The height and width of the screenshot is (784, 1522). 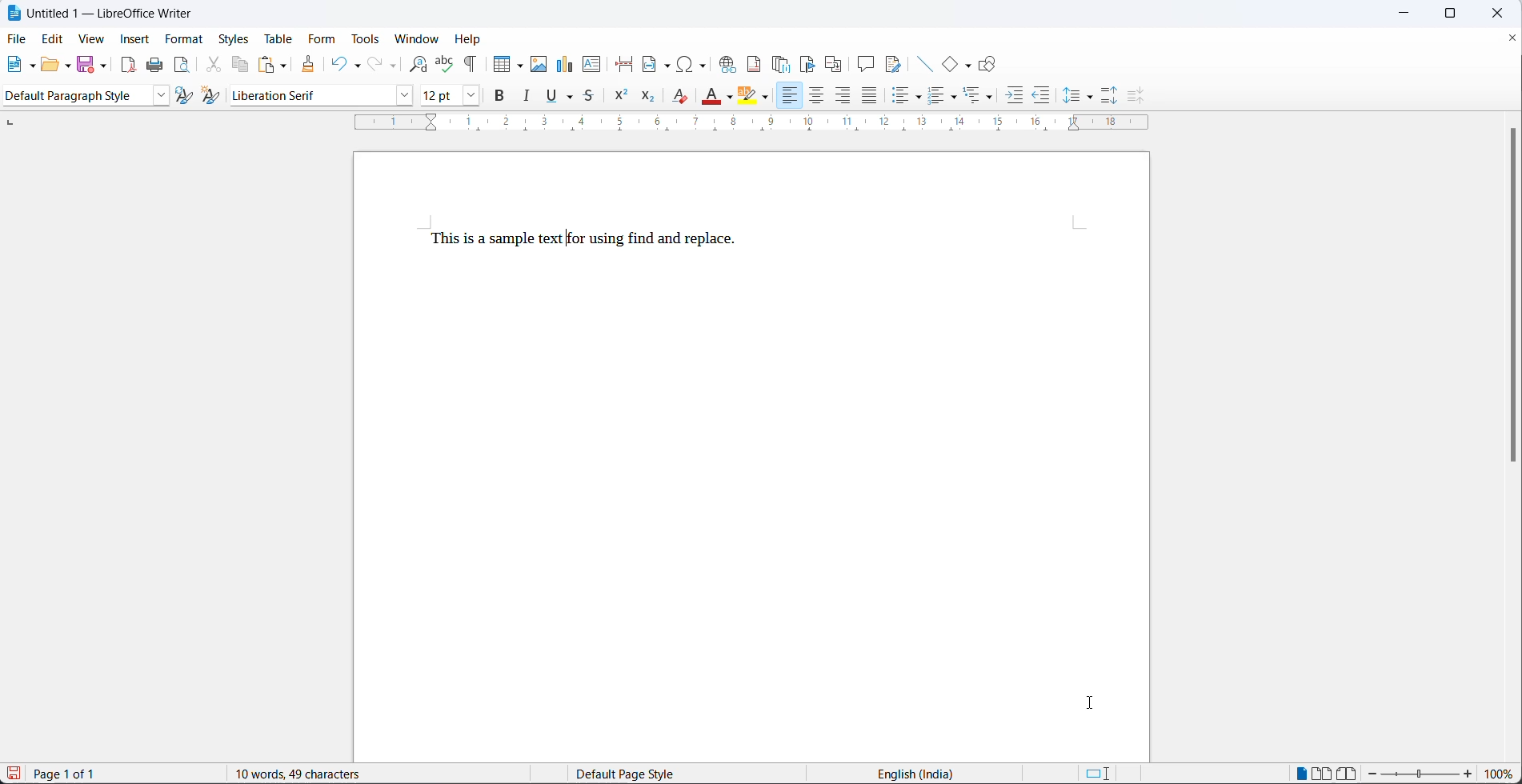 What do you see at coordinates (157, 96) in the screenshot?
I see `style options` at bounding box center [157, 96].